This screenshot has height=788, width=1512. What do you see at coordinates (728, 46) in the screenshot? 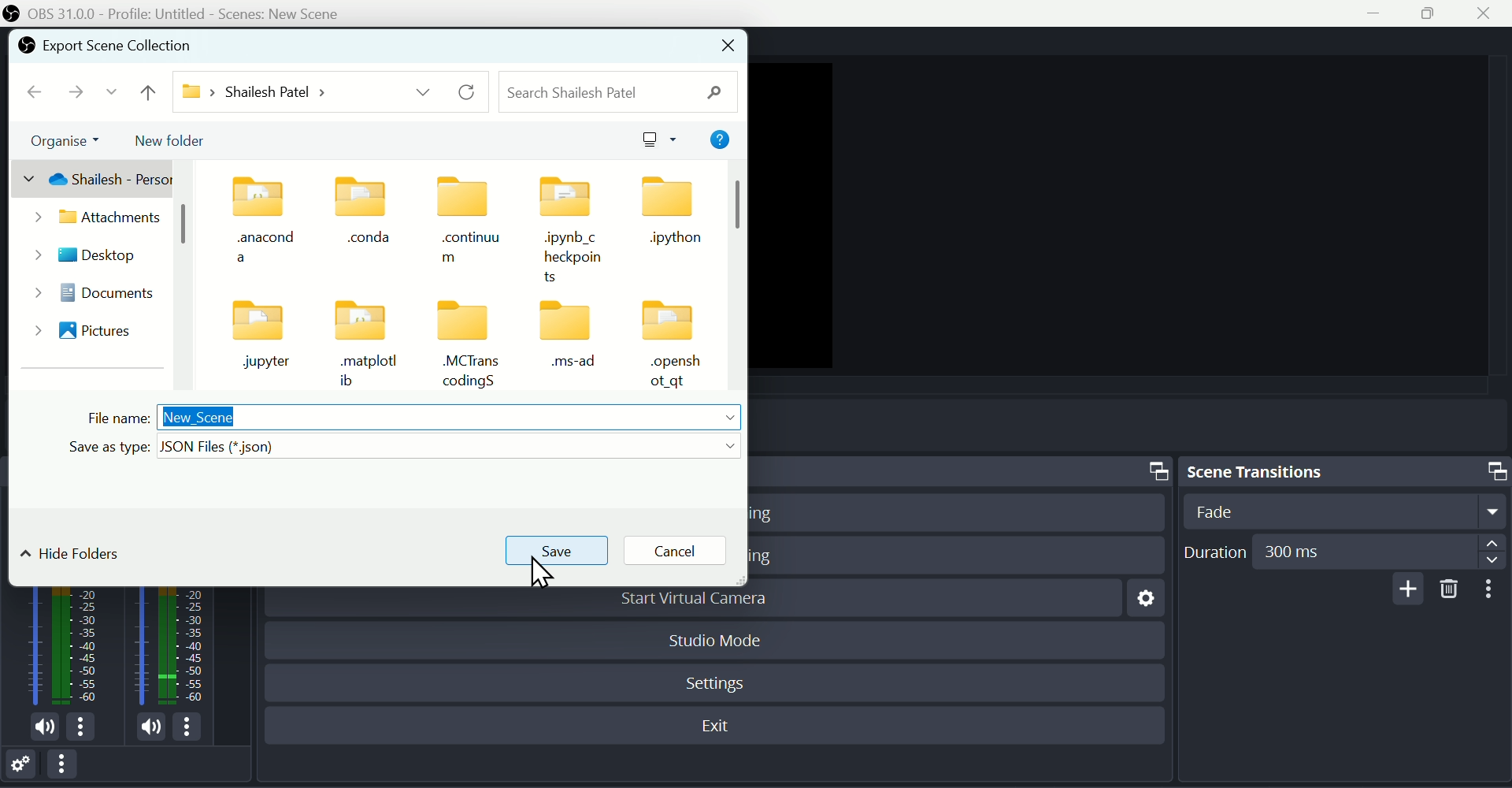
I see `close` at bounding box center [728, 46].